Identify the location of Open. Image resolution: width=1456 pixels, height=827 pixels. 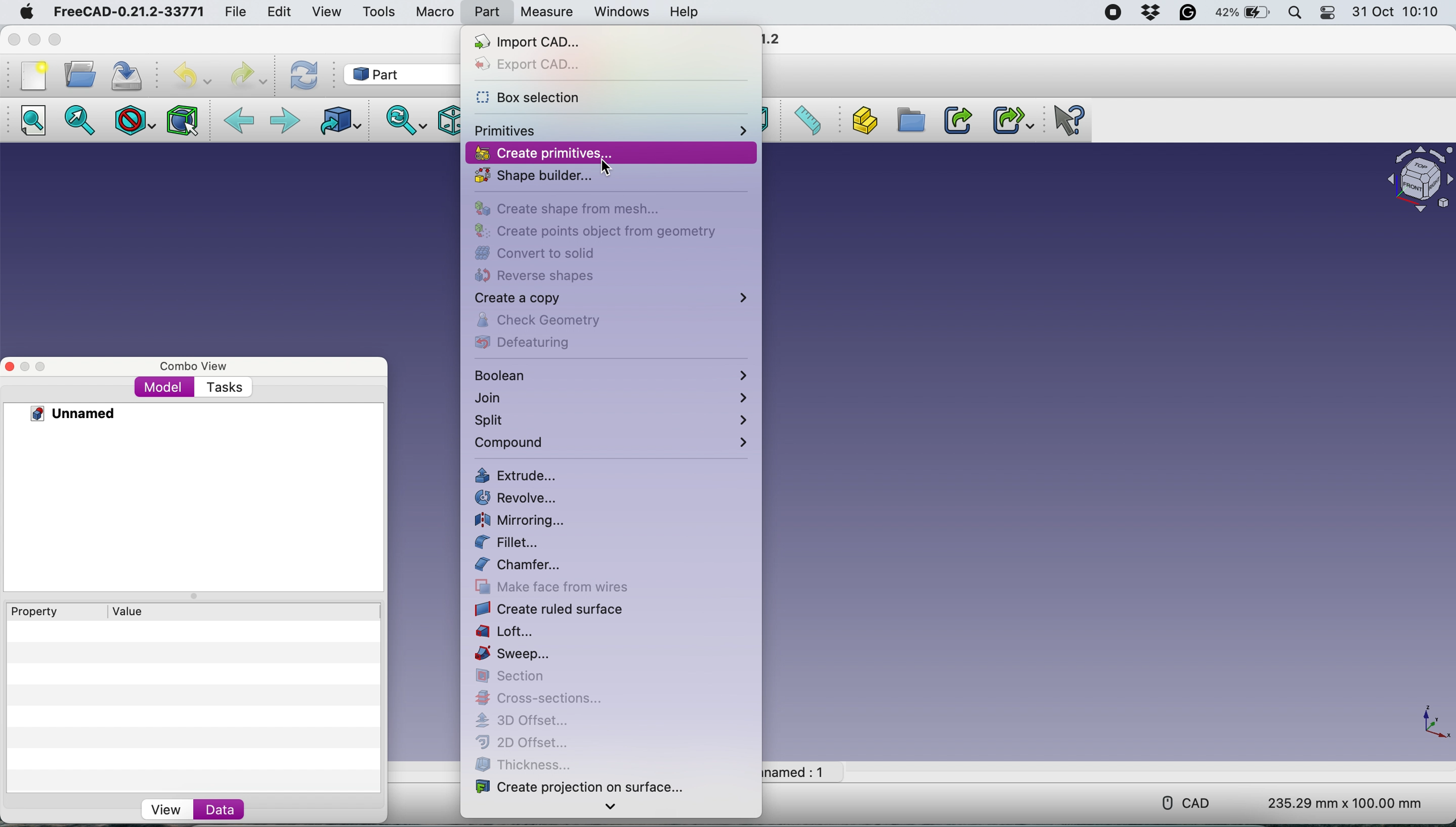
(80, 75).